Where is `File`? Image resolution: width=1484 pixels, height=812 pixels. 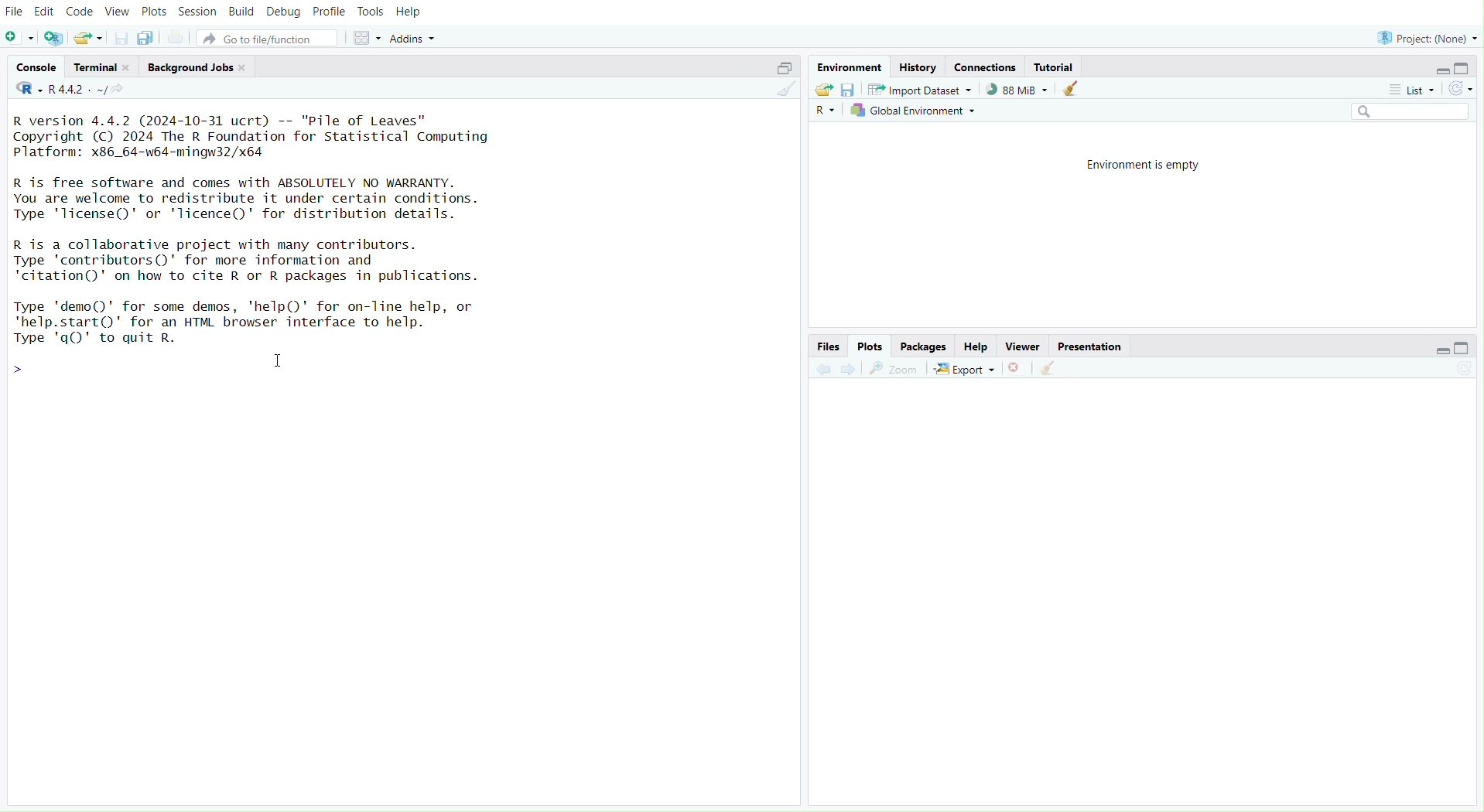 File is located at coordinates (16, 11).